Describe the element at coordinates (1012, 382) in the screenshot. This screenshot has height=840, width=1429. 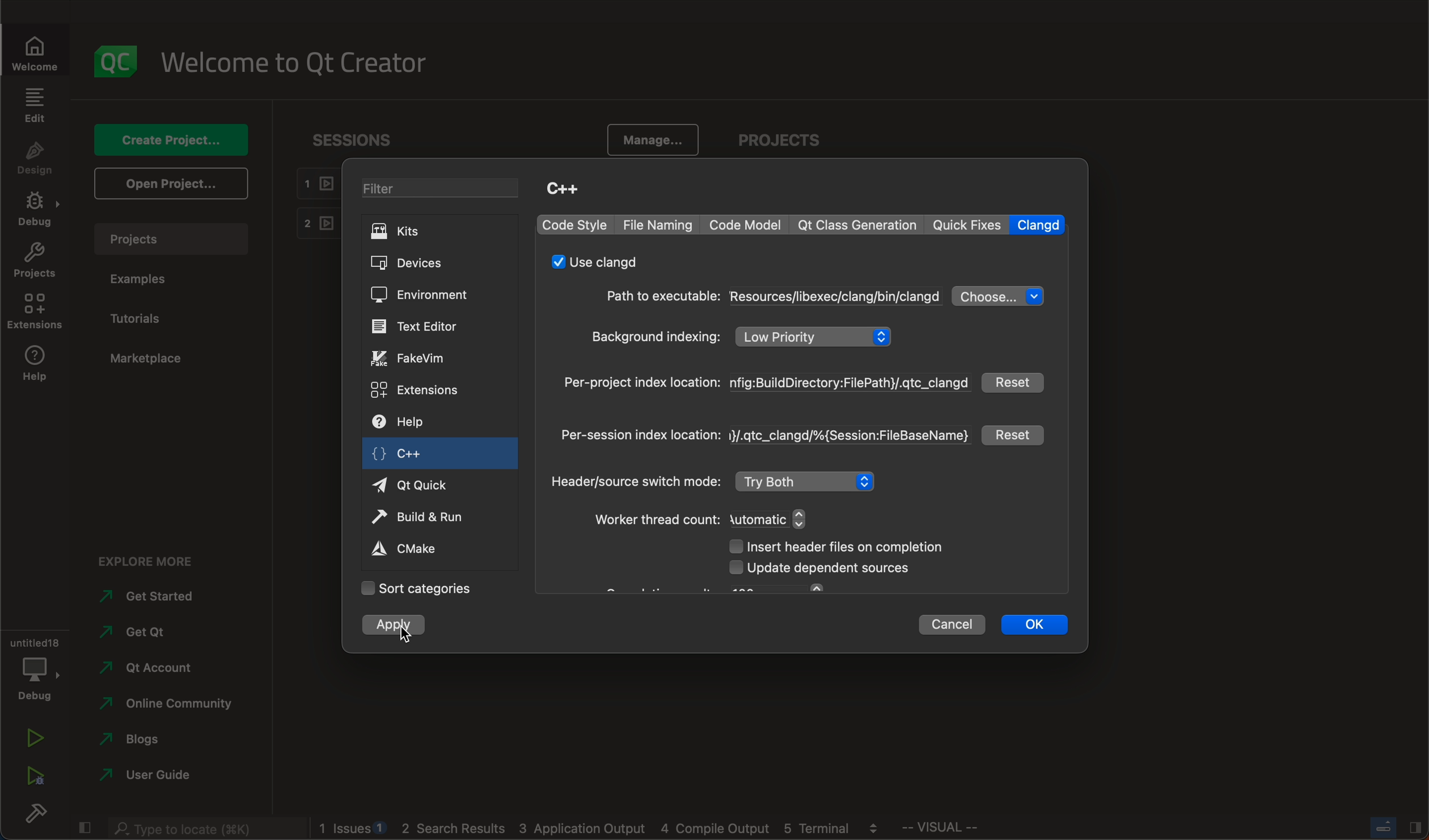
I see `reset` at that location.